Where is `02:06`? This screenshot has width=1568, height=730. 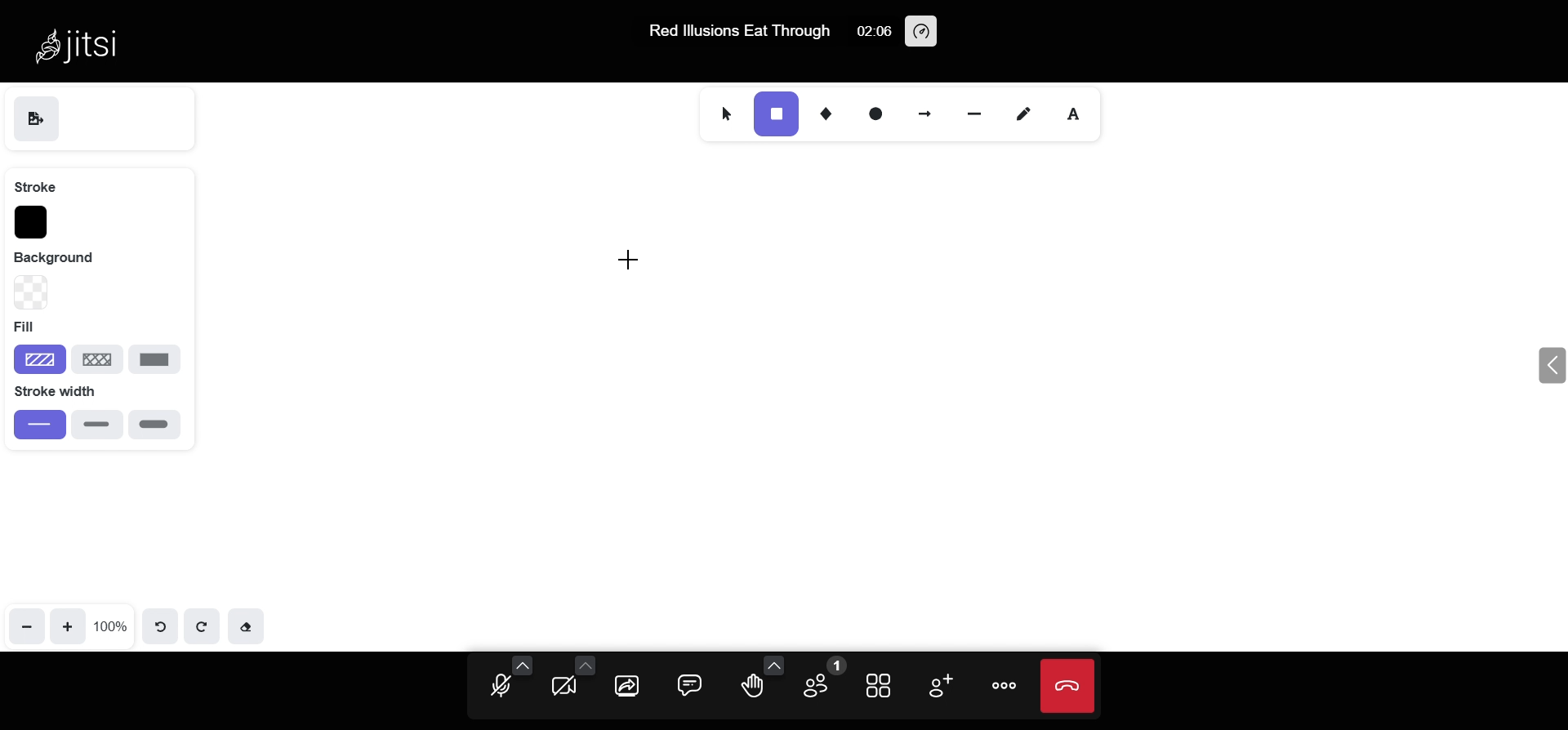
02:06 is located at coordinates (872, 30).